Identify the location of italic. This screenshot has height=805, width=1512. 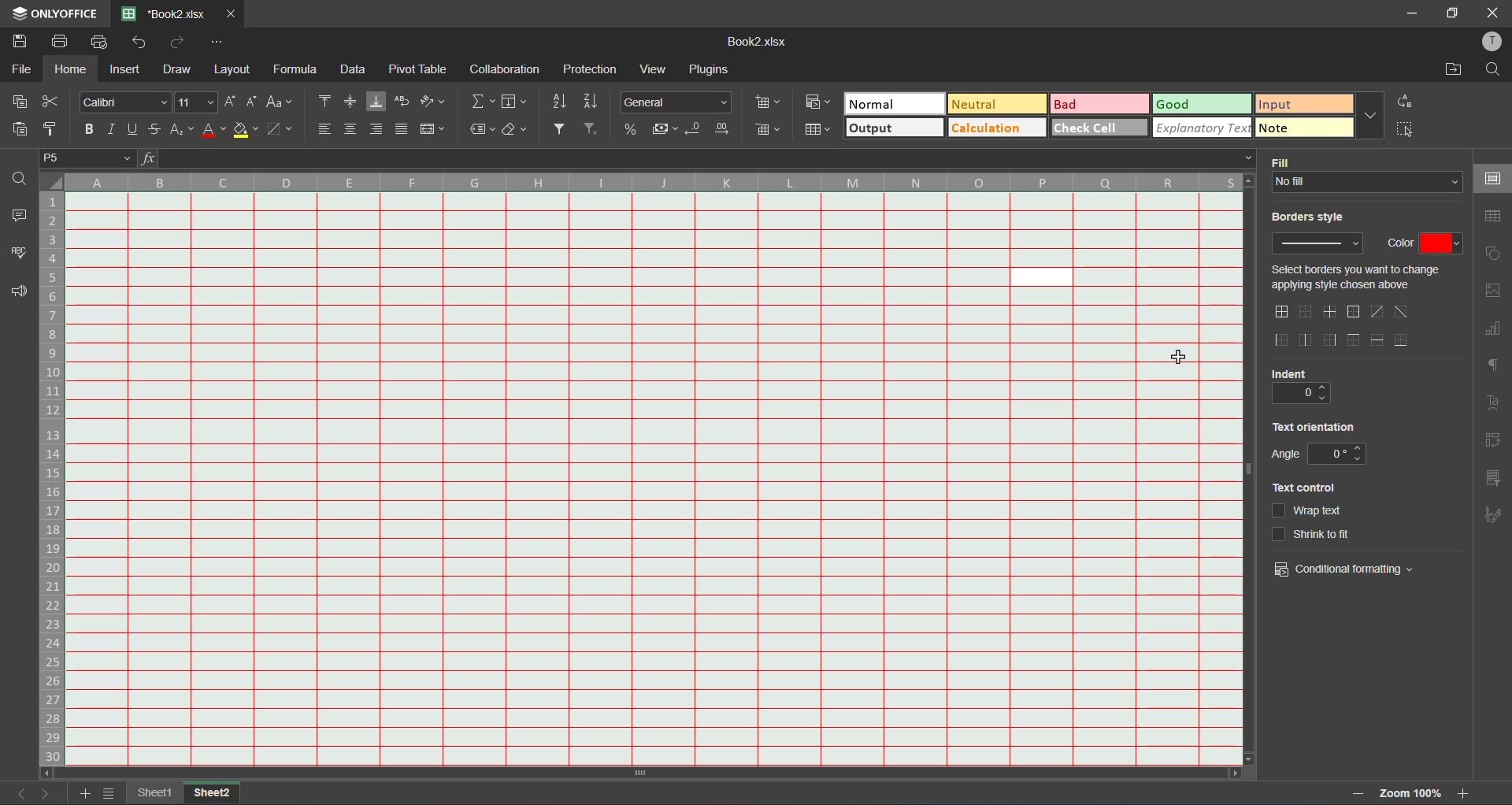
(110, 128).